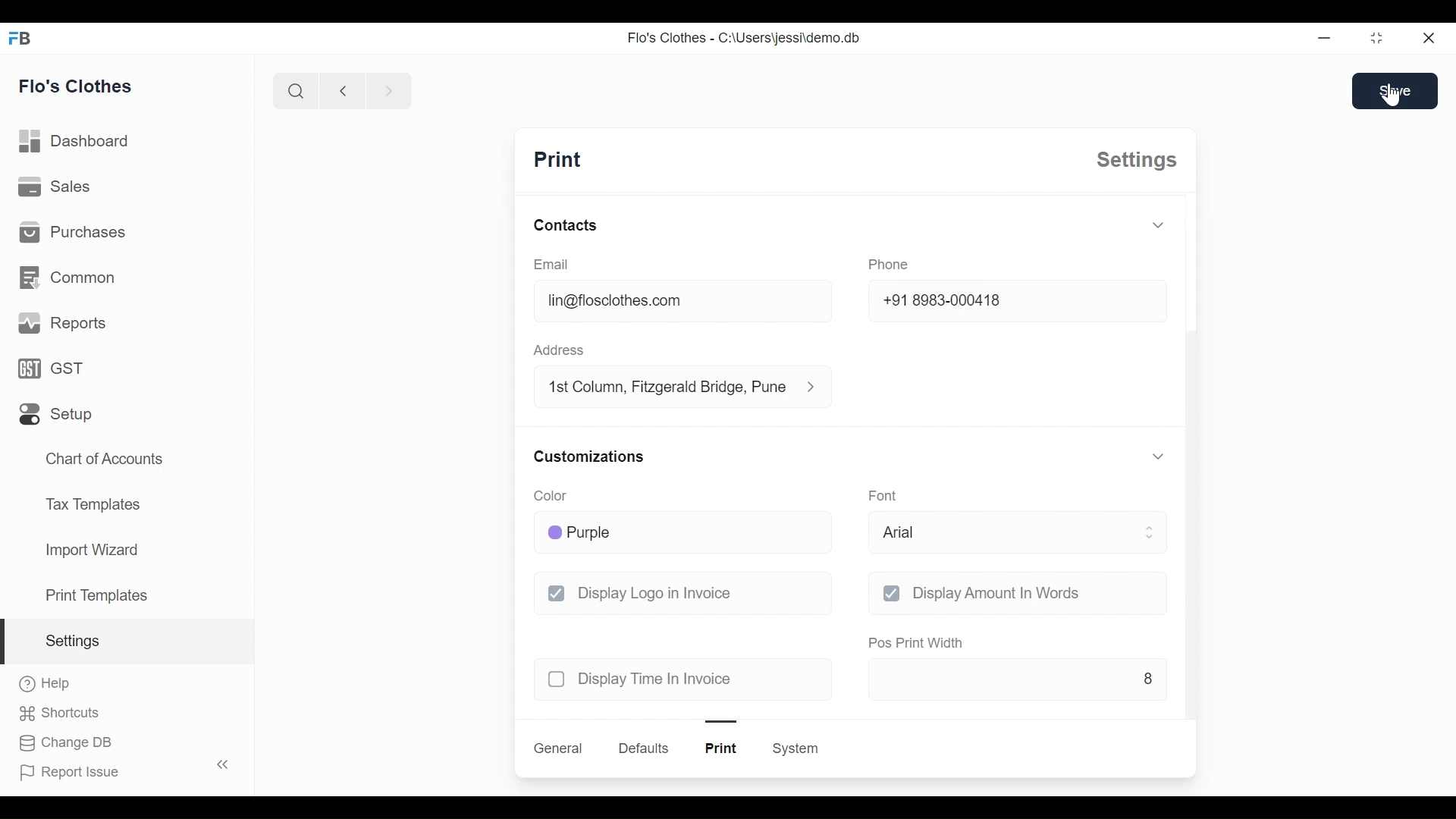 This screenshot has width=1456, height=819. I want to click on address, so click(558, 350).